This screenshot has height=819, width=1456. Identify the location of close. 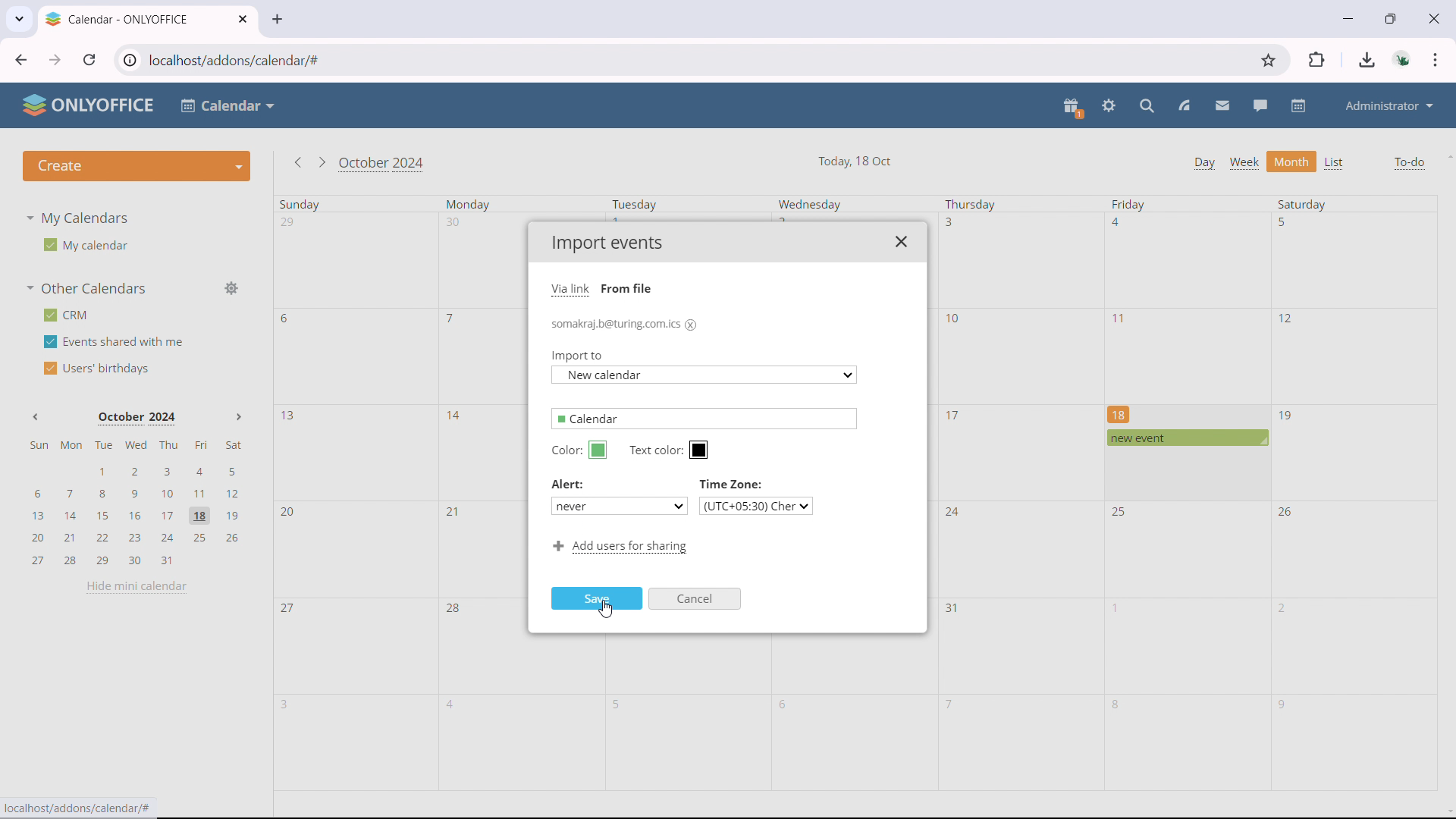
(902, 241).